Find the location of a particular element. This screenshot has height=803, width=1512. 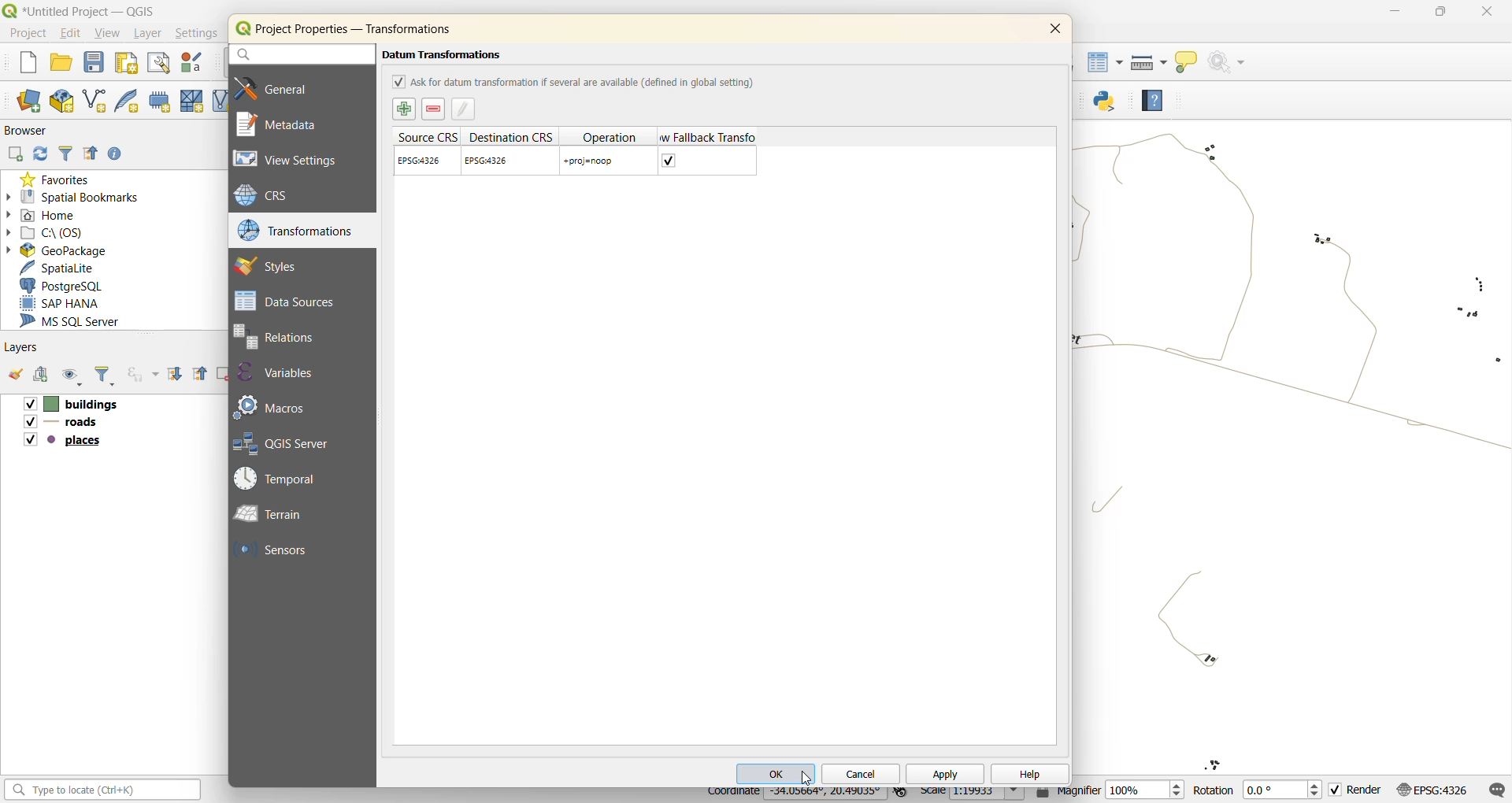

help is located at coordinates (1028, 772).